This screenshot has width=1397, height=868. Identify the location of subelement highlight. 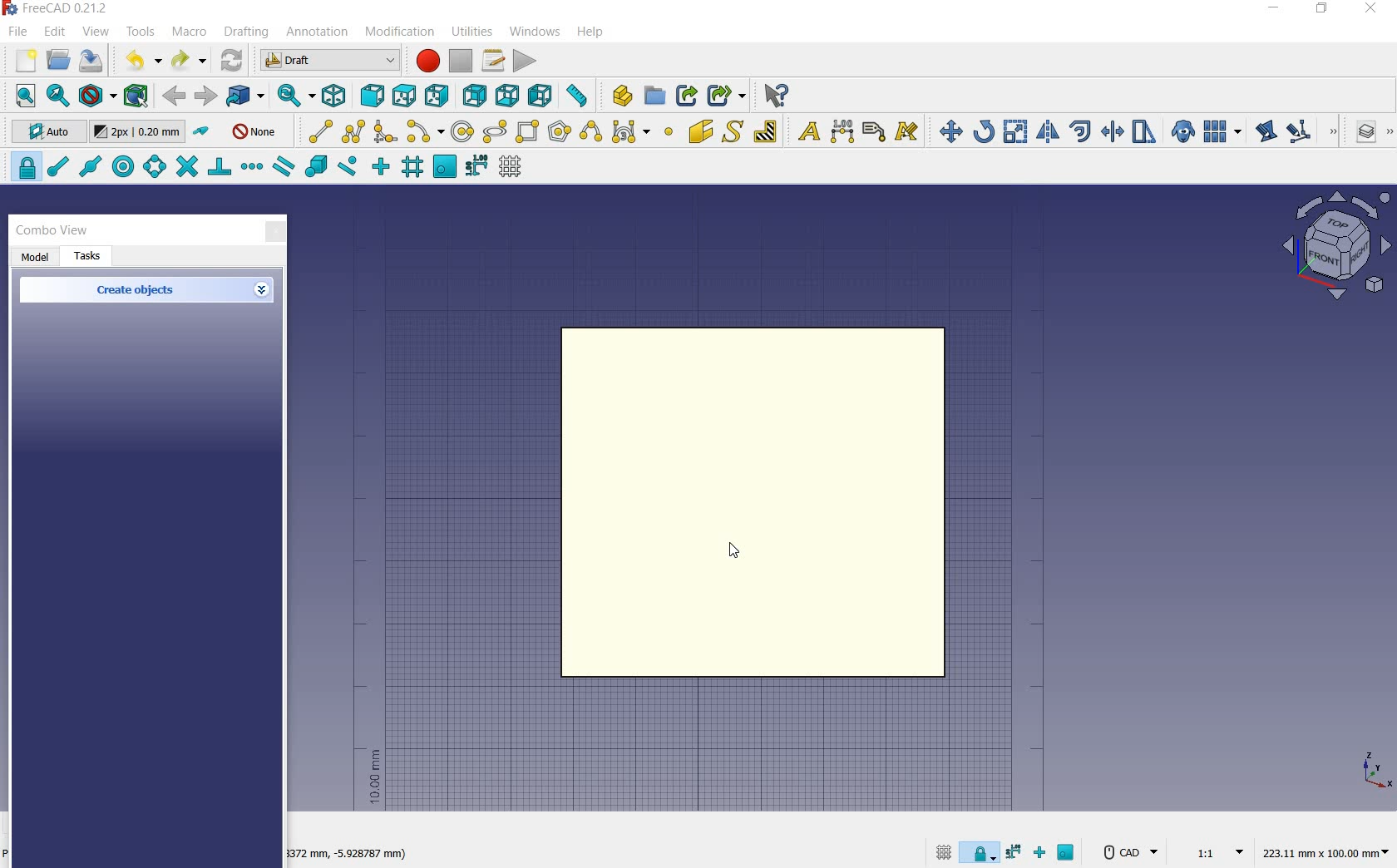
(1311, 131).